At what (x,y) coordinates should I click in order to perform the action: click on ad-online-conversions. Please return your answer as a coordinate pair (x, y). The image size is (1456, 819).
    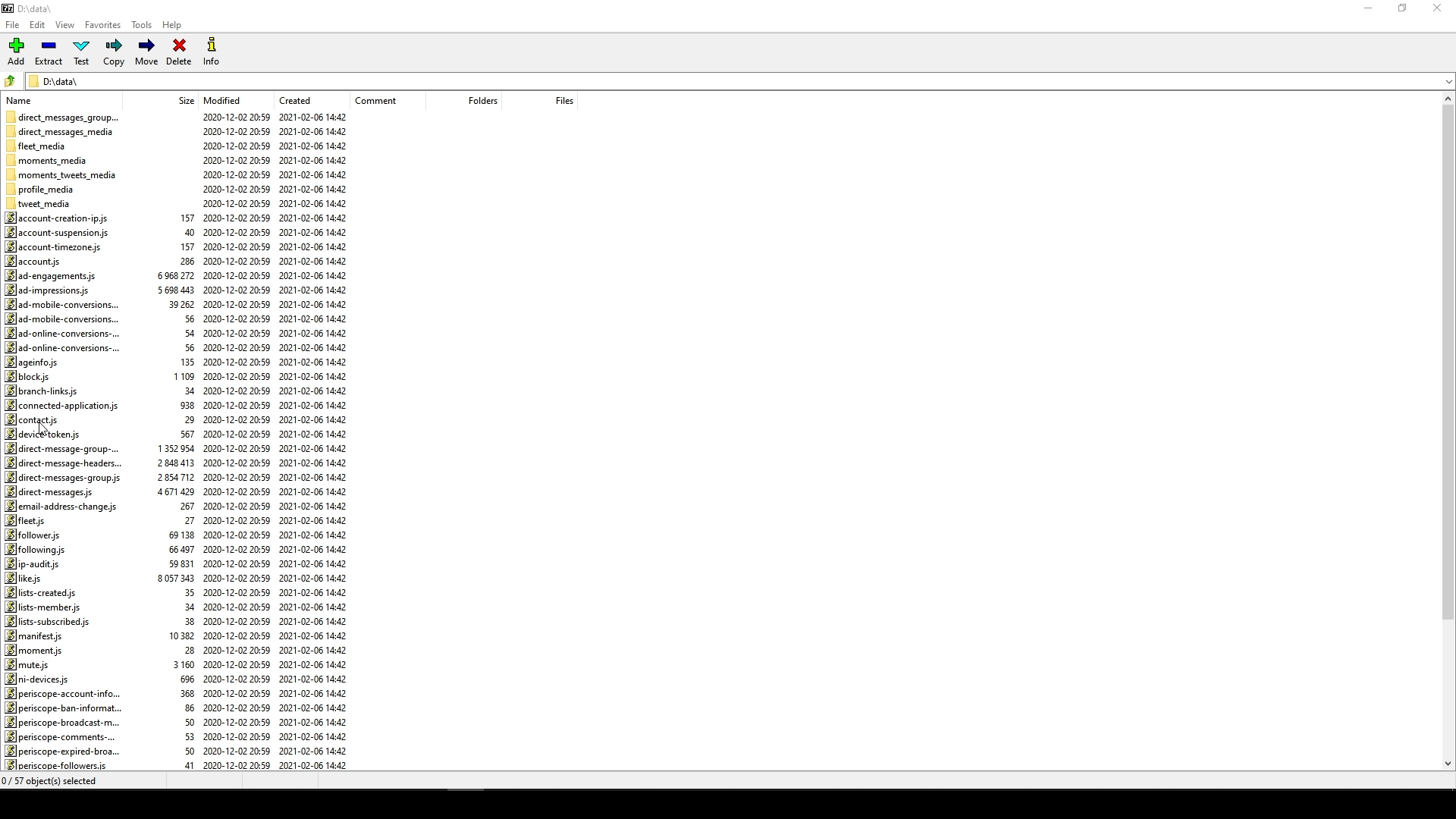
    Looking at the image, I should click on (61, 347).